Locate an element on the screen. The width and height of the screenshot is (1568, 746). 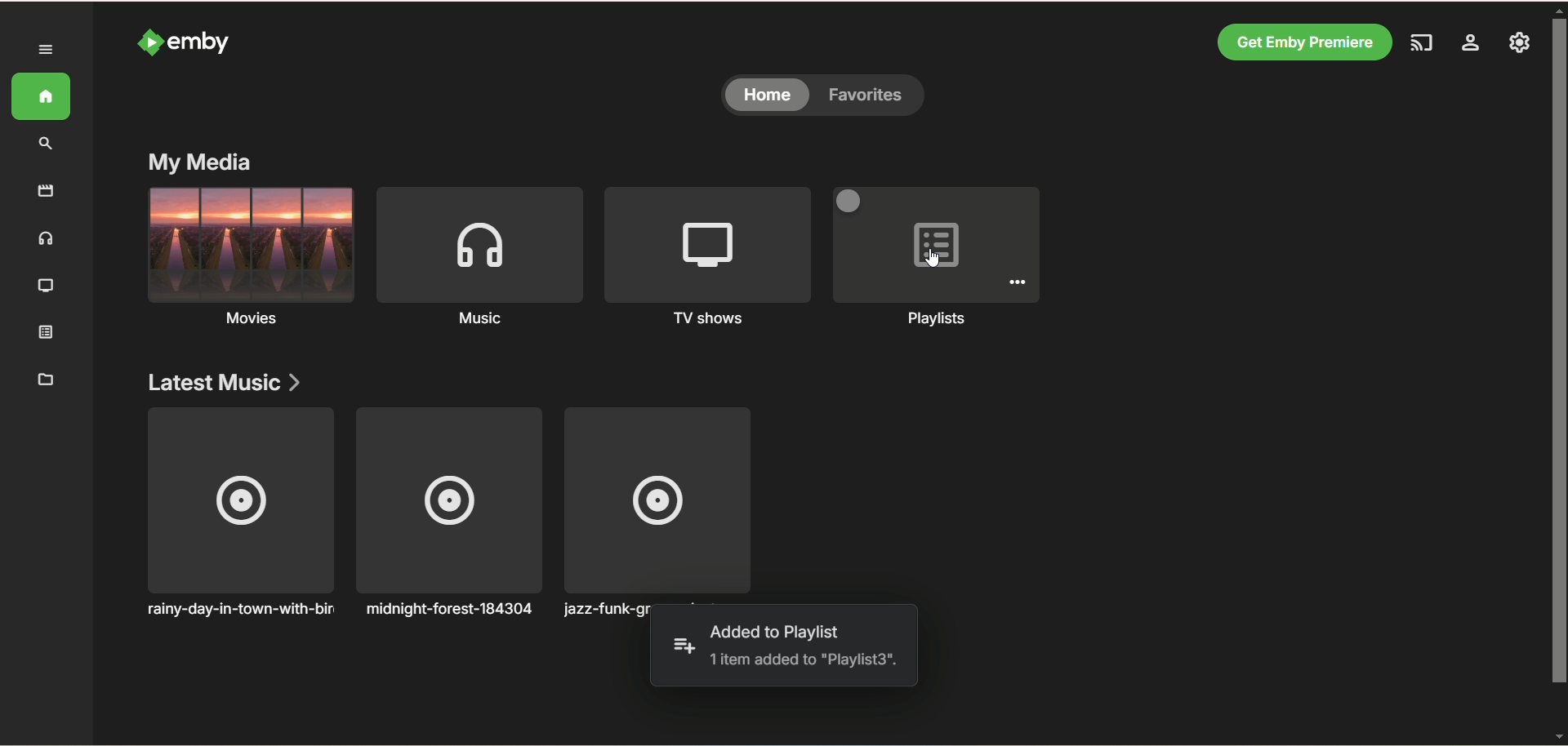
latest music is located at coordinates (224, 384).